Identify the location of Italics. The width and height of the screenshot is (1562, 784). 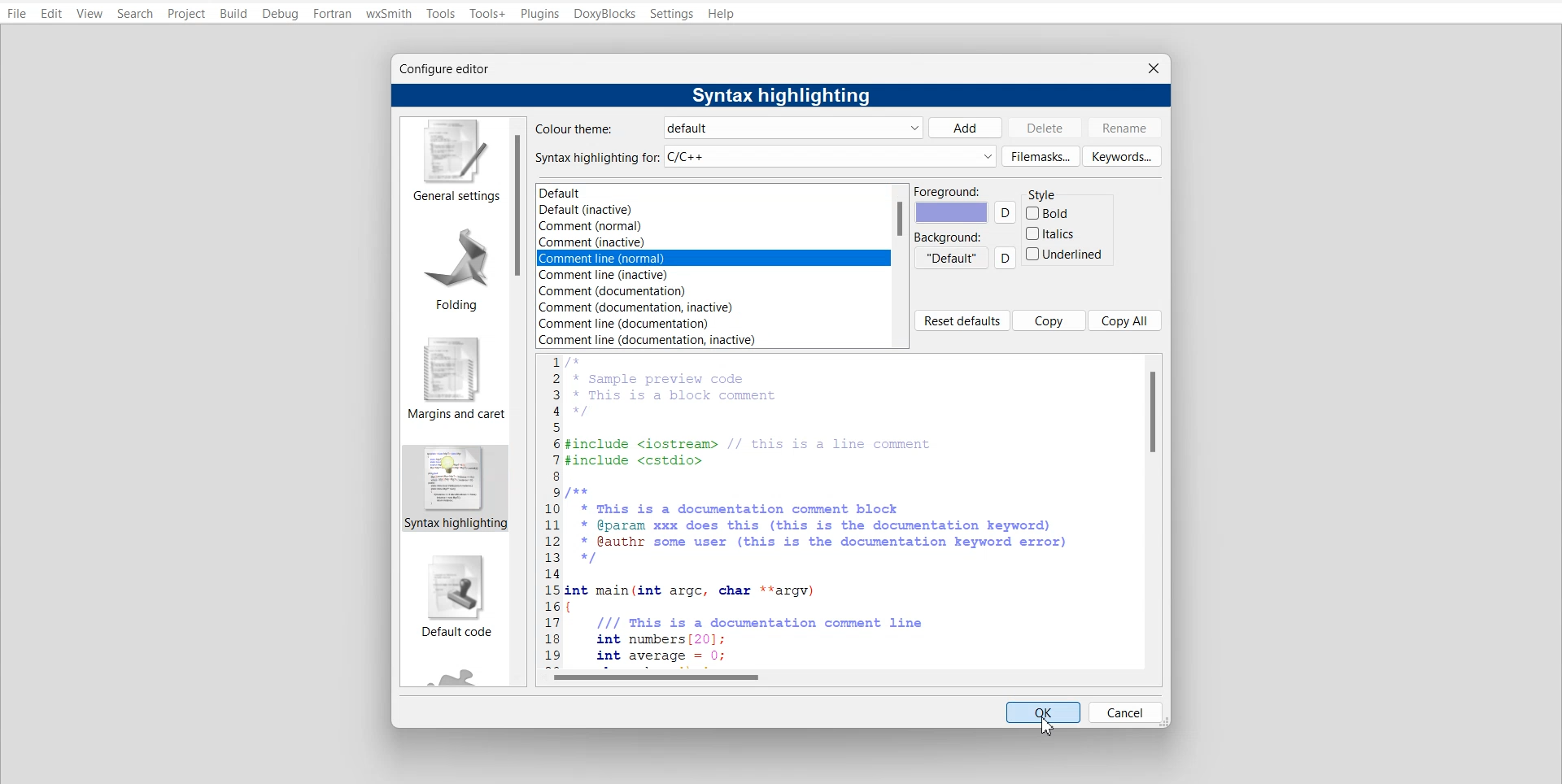
(1054, 233).